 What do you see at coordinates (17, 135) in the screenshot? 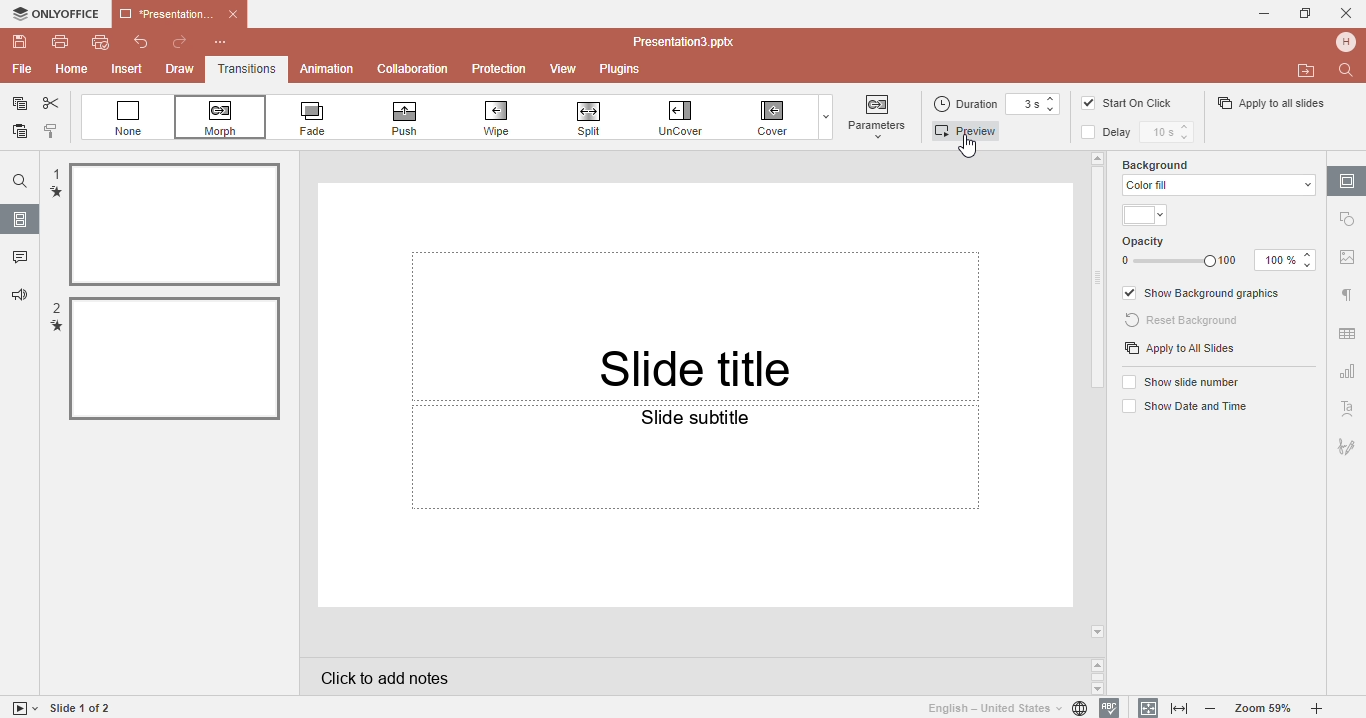
I see `Paste` at bounding box center [17, 135].